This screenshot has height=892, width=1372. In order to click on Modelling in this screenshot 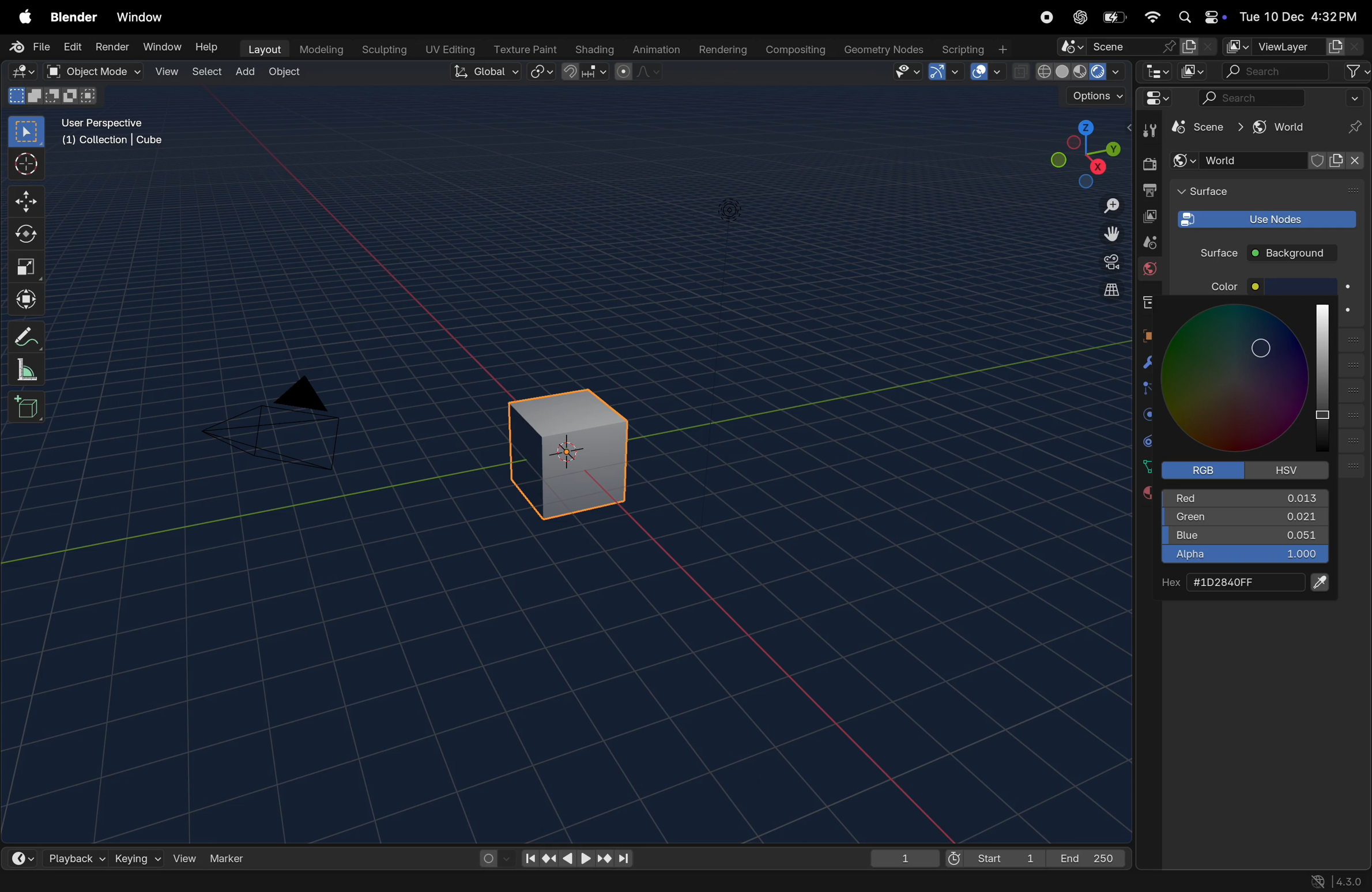, I will do `click(316, 50)`.